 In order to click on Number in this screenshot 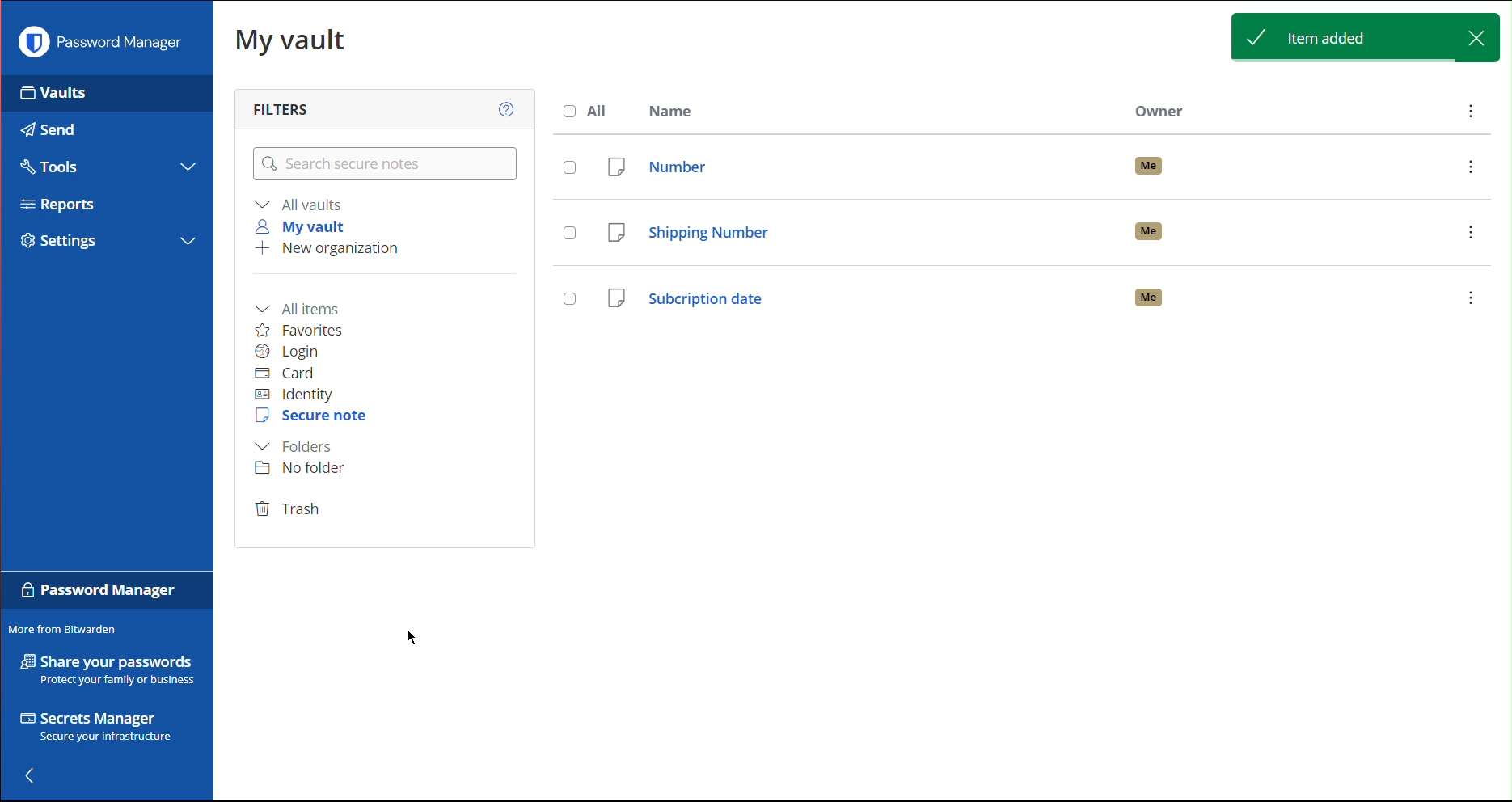, I will do `click(1024, 163)`.